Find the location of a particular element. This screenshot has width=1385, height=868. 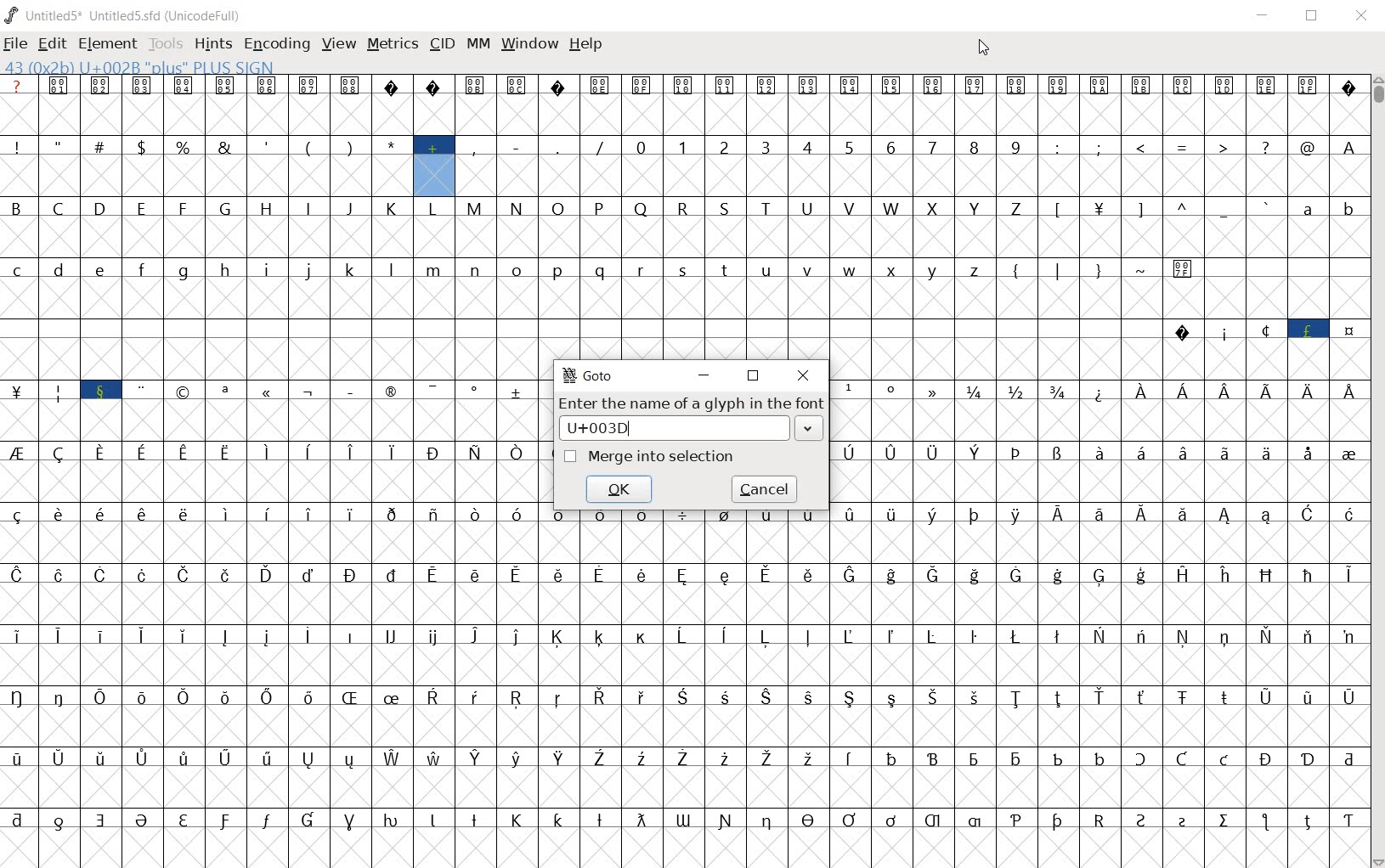

glyph characters is located at coordinates (952, 714).